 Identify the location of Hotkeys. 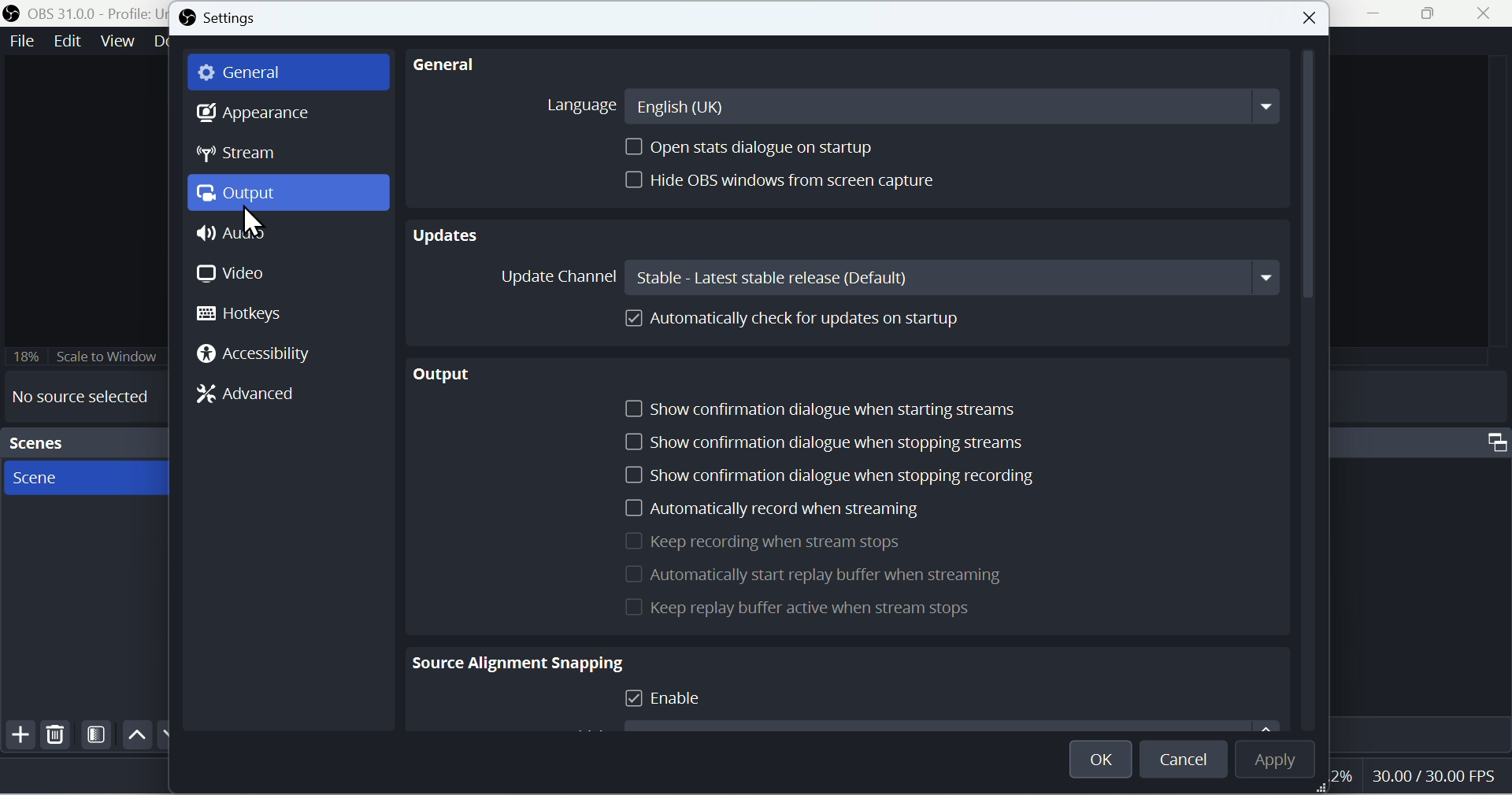
(248, 313).